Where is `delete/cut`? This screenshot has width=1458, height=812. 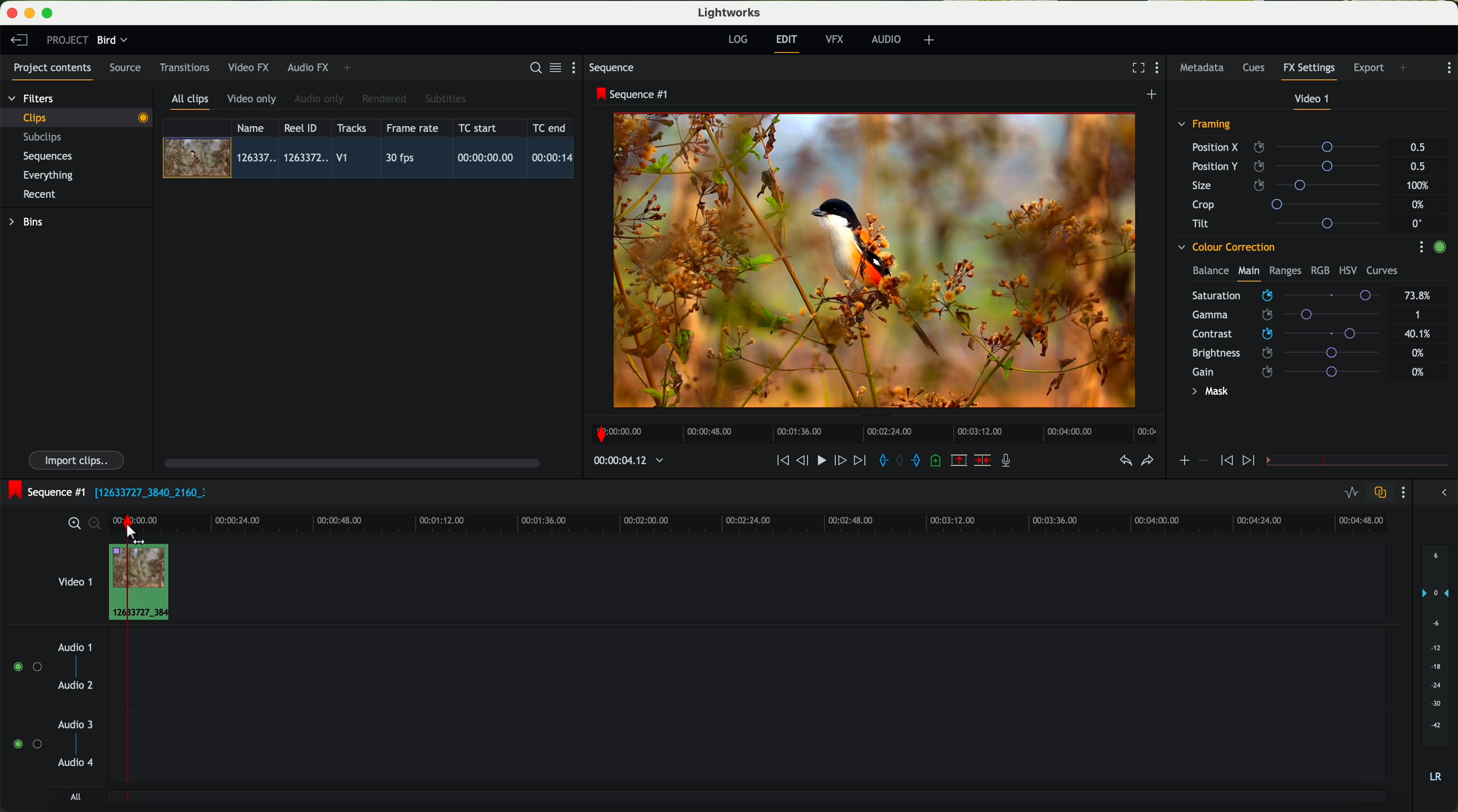 delete/cut is located at coordinates (983, 461).